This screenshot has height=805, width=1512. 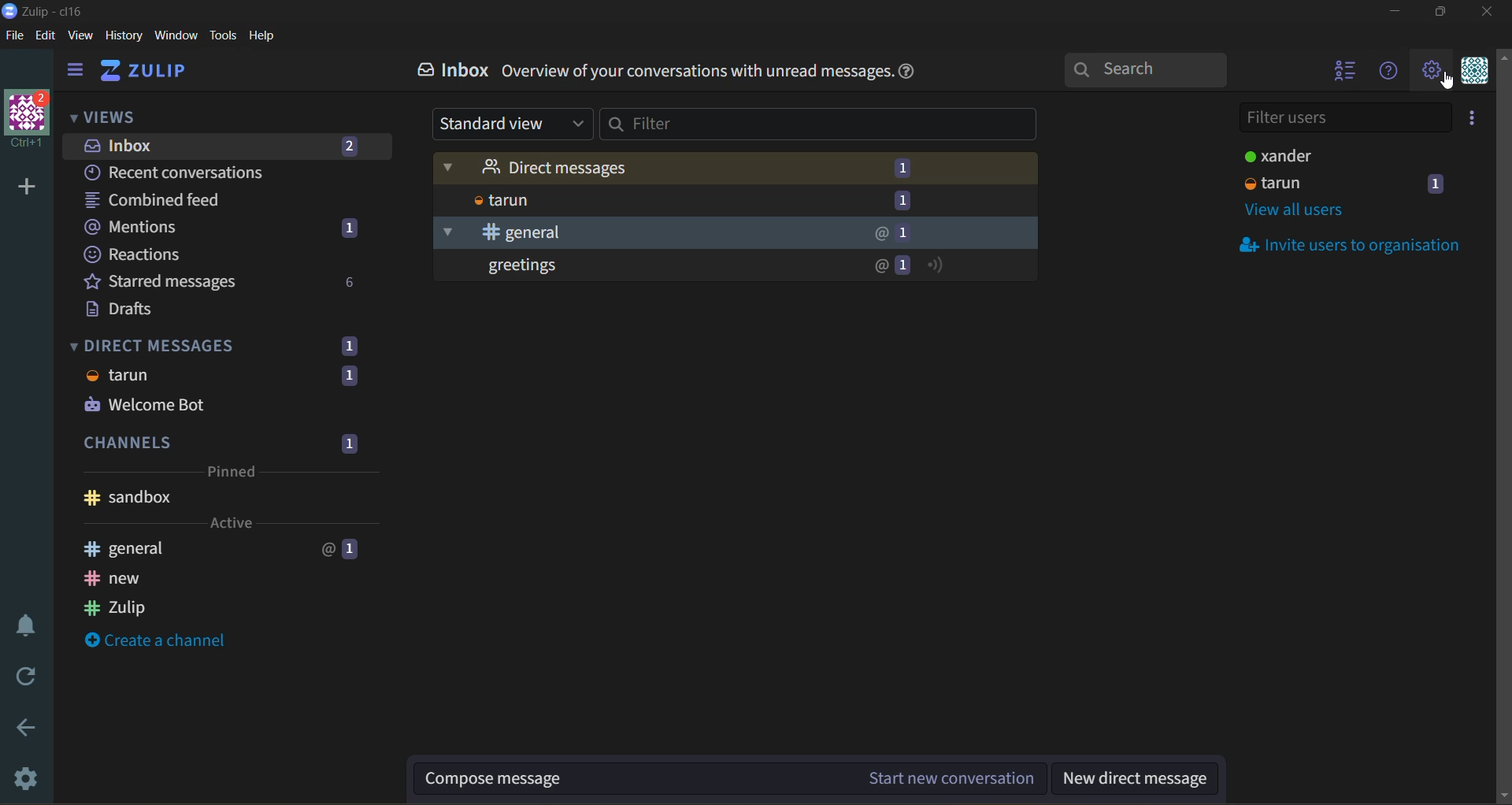 I want to click on minimize, so click(x=1389, y=14).